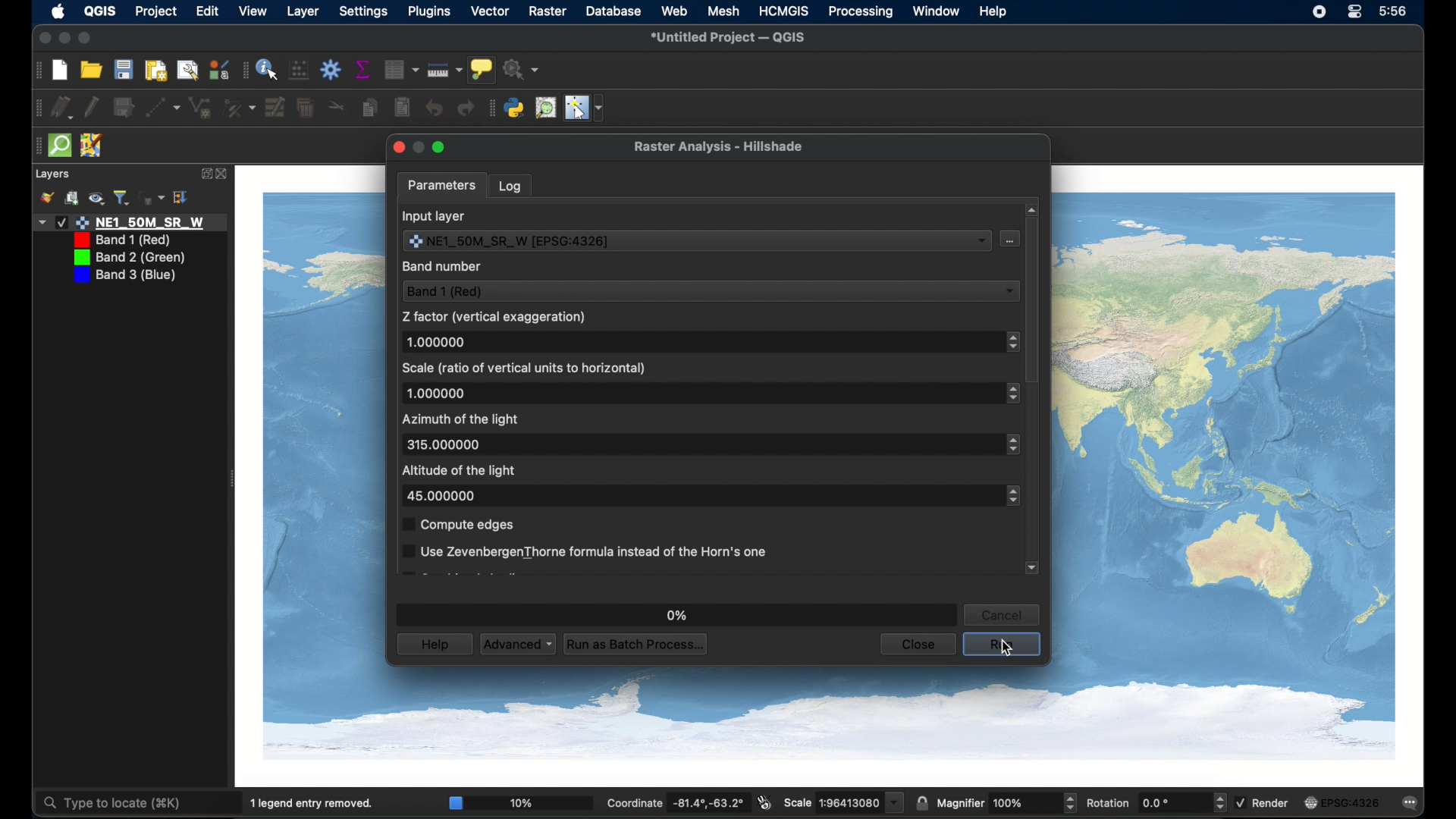  Describe the element at coordinates (710, 290) in the screenshot. I see `band 1 red dropdown menu` at that location.